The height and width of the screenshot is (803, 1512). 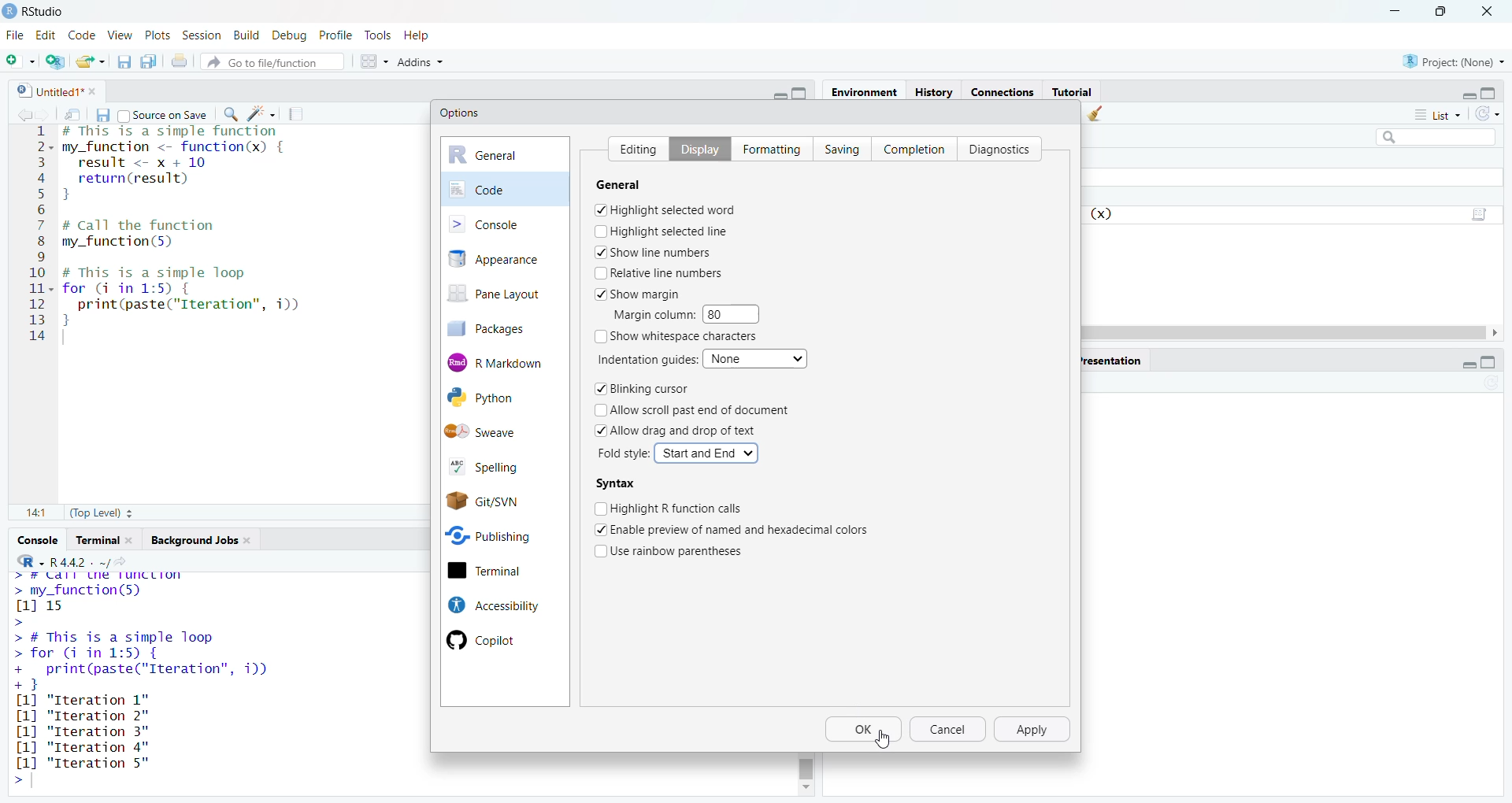 I want to click on highlight selected line, so click(x=661, y=231).